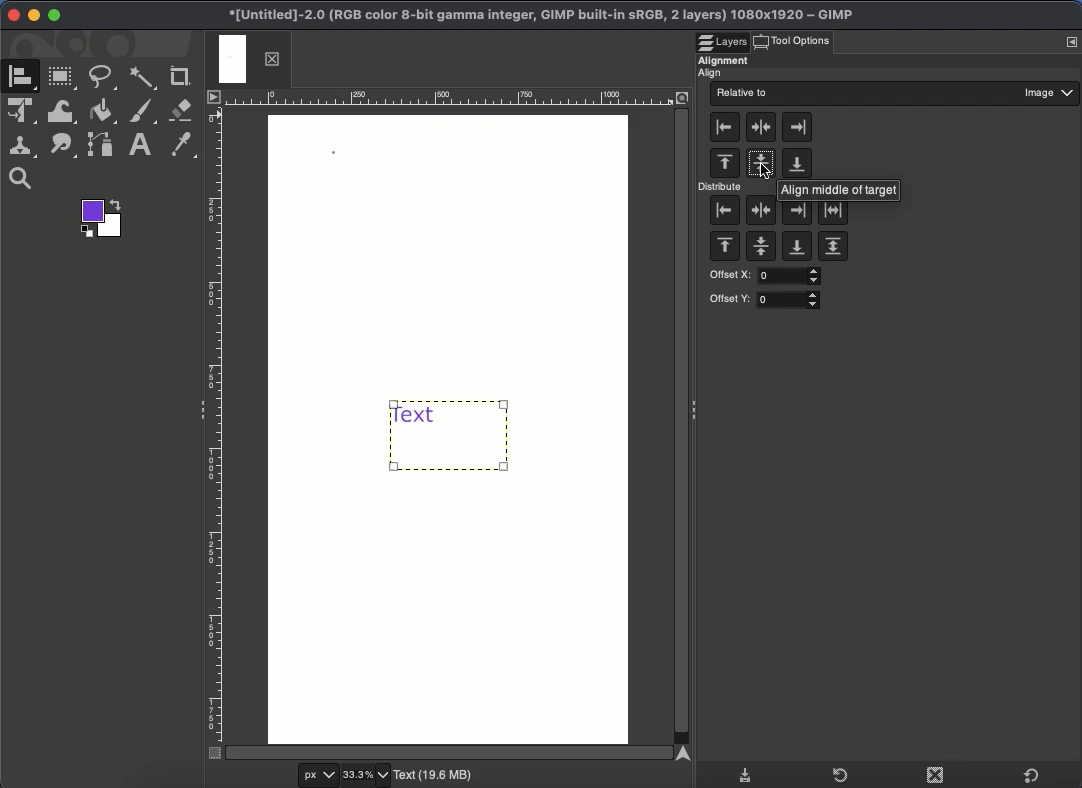 This screenshot has height=788, width=1082. What do you see at coordinates (34, 16) in the screenshot?
I see `Minimize` at bounding box center [34, 16].